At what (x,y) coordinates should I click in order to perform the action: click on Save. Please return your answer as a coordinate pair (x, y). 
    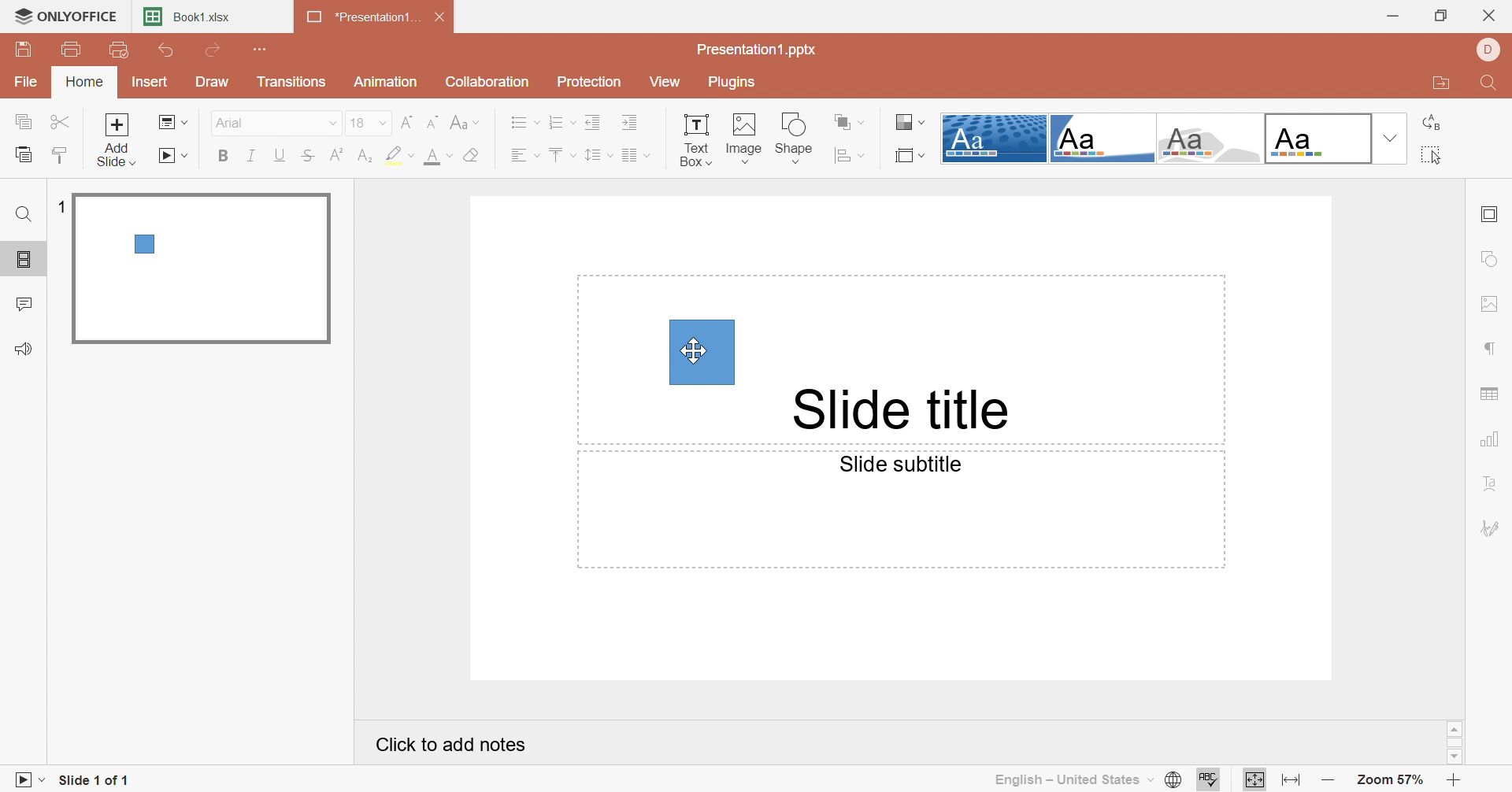
    Looking at the image, I should click on (26, 50).